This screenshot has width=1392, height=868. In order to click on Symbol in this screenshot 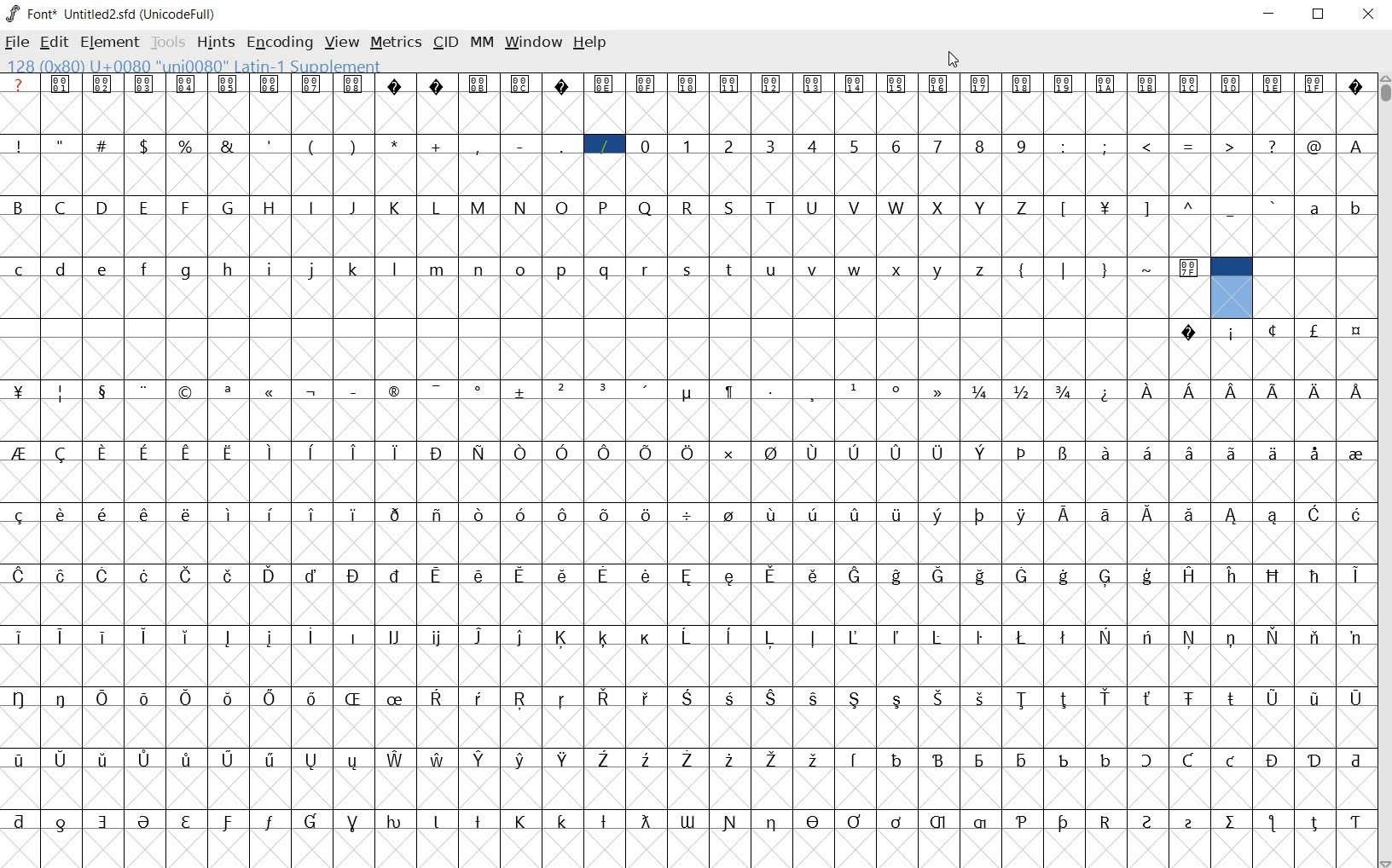, I will do `click(313, 515)`.